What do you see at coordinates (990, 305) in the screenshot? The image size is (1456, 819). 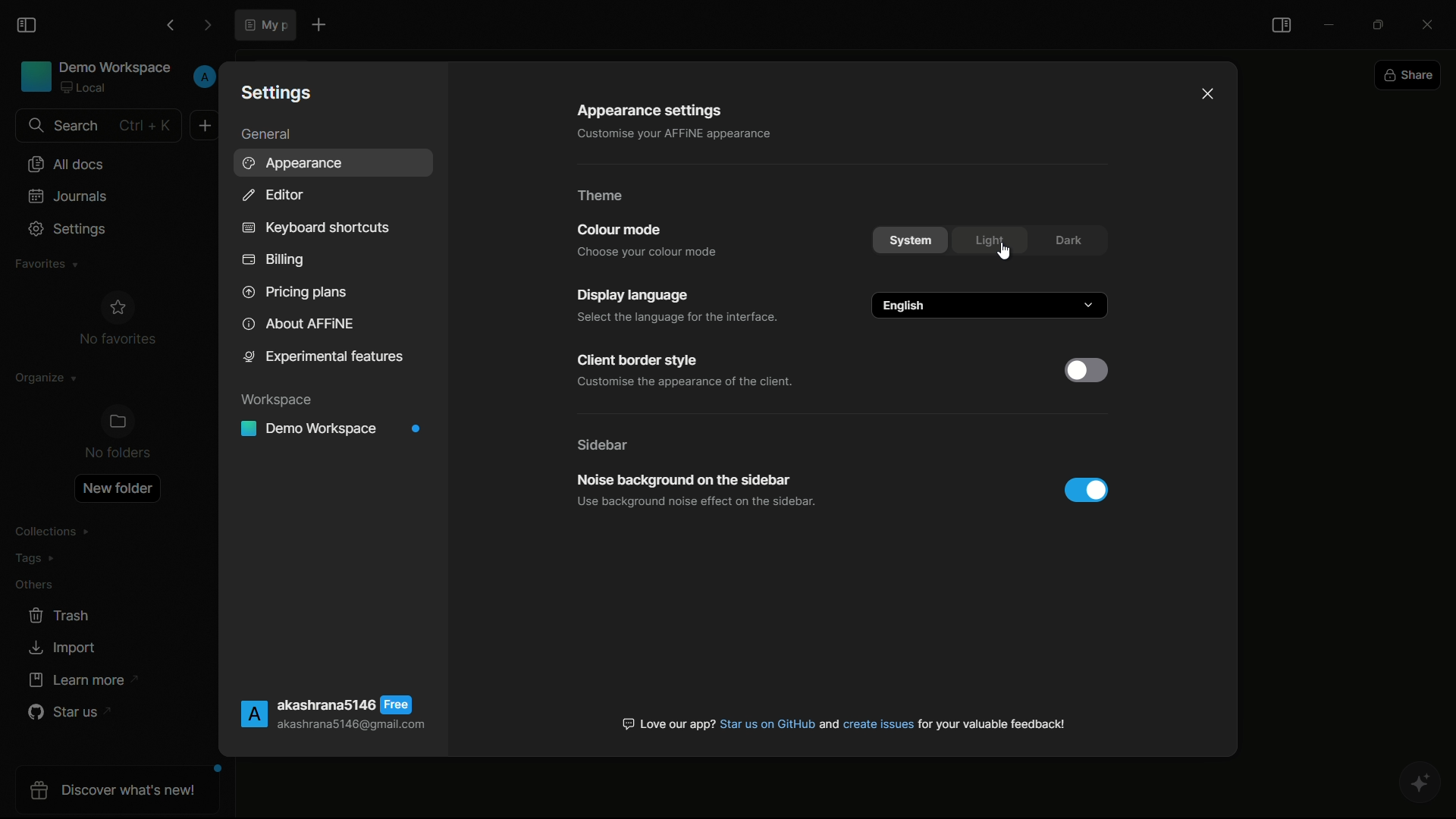 I see `change language` at bounding box center [990, 305].